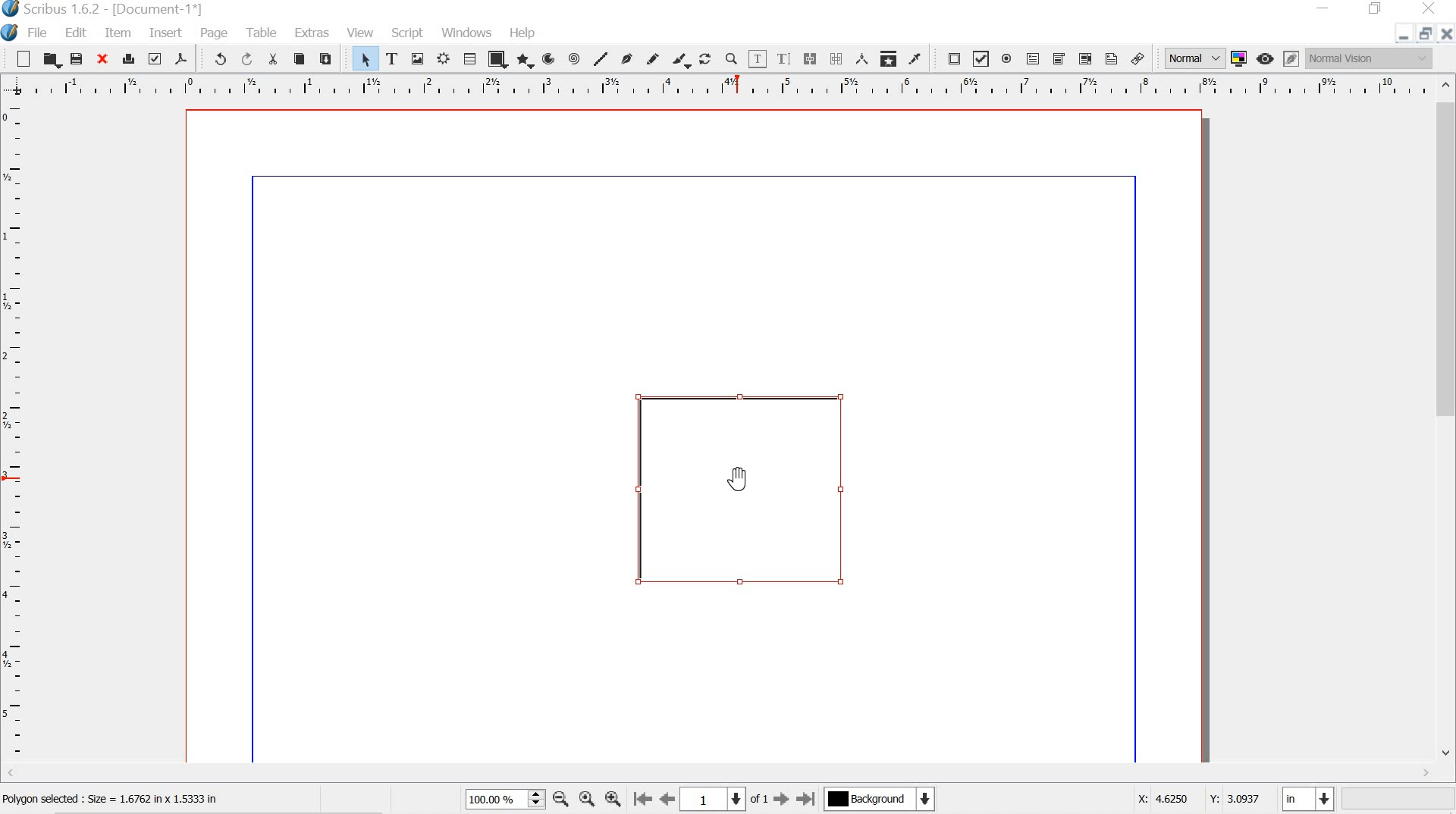 The width and height of the screenshot is (1456, 814). What do you see at coordinates (643, 800) in the screenshot?
I see `go to the first page` at bounding box center [643, 800].